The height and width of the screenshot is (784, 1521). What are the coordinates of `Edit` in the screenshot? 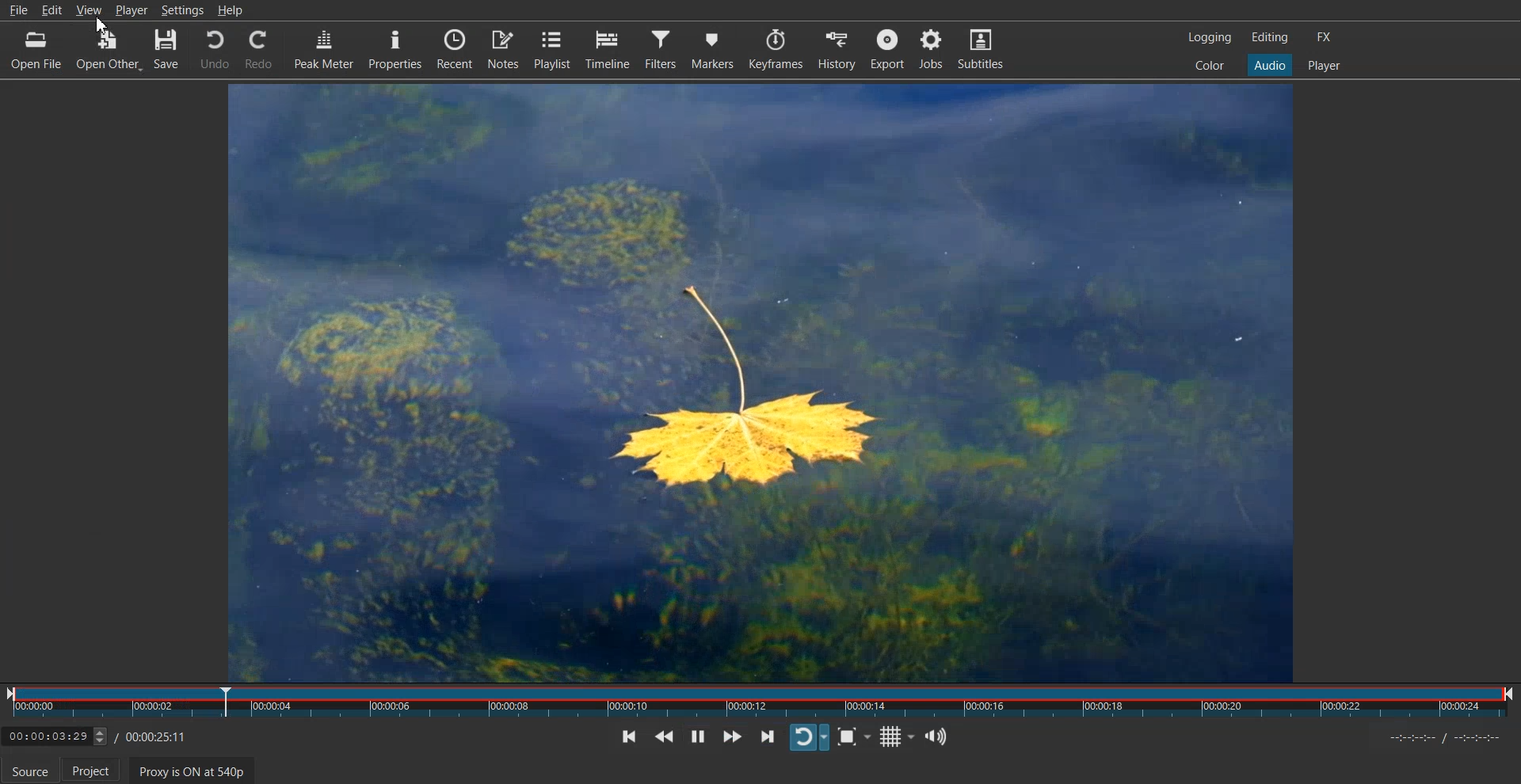 It's located at (54, 9).